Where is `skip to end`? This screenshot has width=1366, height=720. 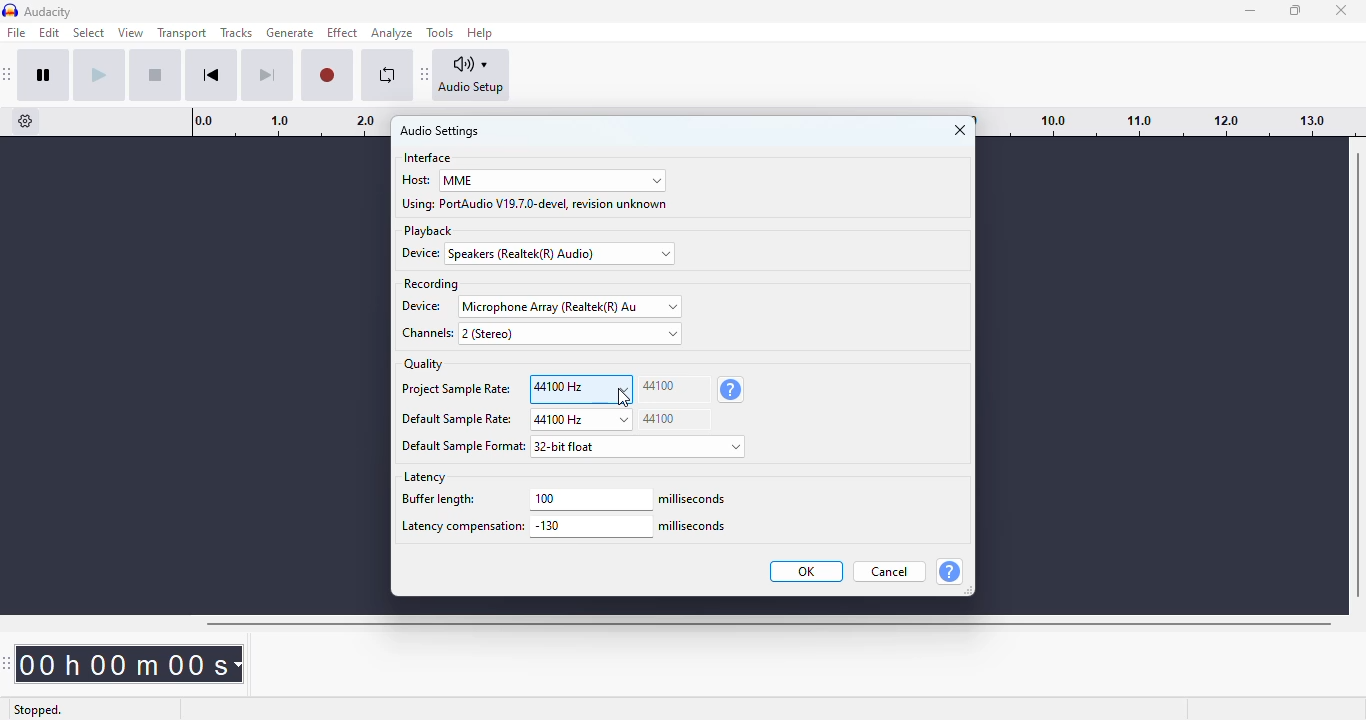
skip to end is located at coordinates (266, 76).